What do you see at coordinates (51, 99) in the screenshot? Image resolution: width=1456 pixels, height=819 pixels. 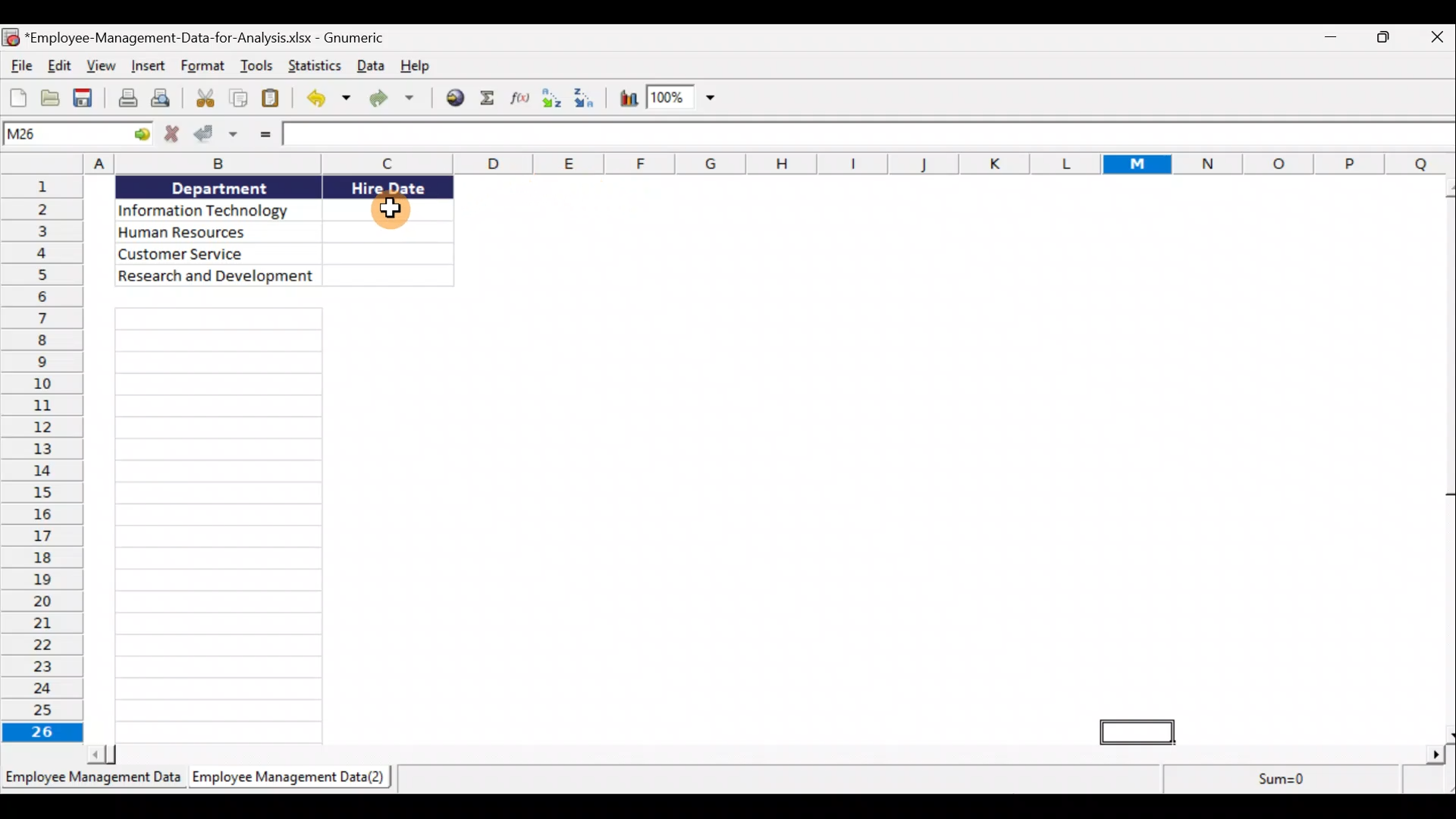 I see `Open a file` at bounding box center [51, 99].